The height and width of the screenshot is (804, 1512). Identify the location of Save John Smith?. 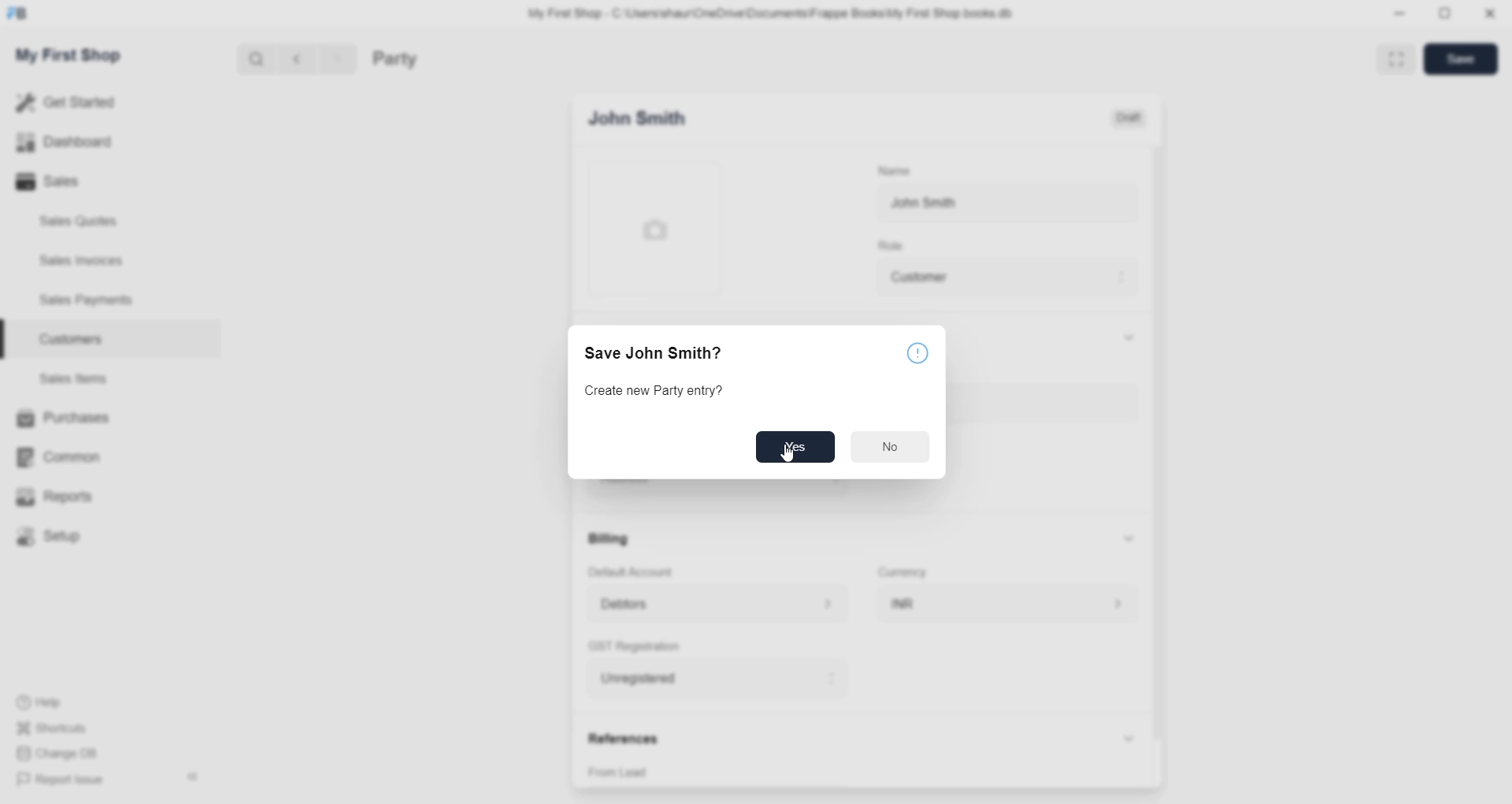
(657, 350).